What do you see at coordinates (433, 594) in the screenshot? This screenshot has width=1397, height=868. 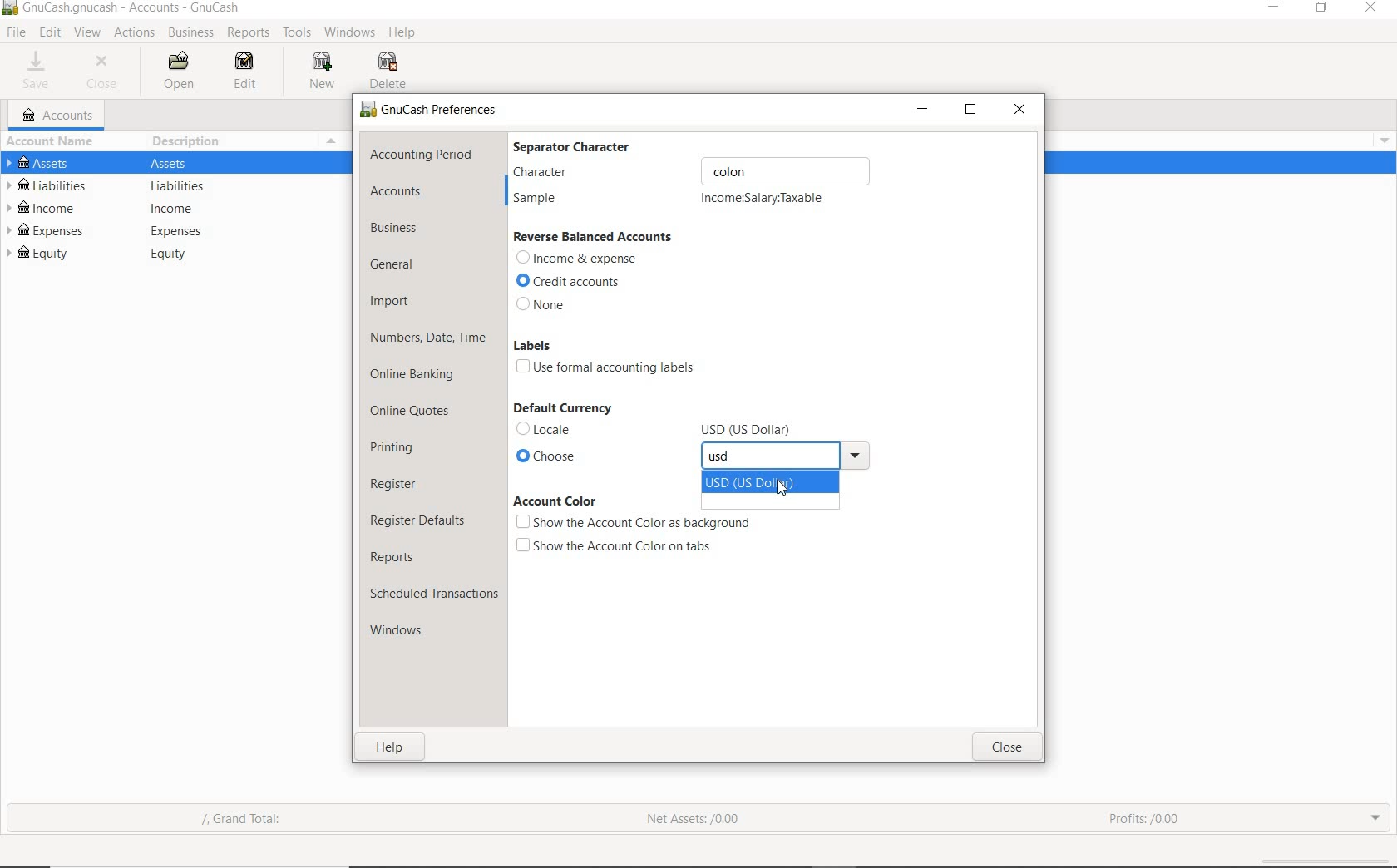 I see `scheduled transactions` at bounding box center [433, 594].